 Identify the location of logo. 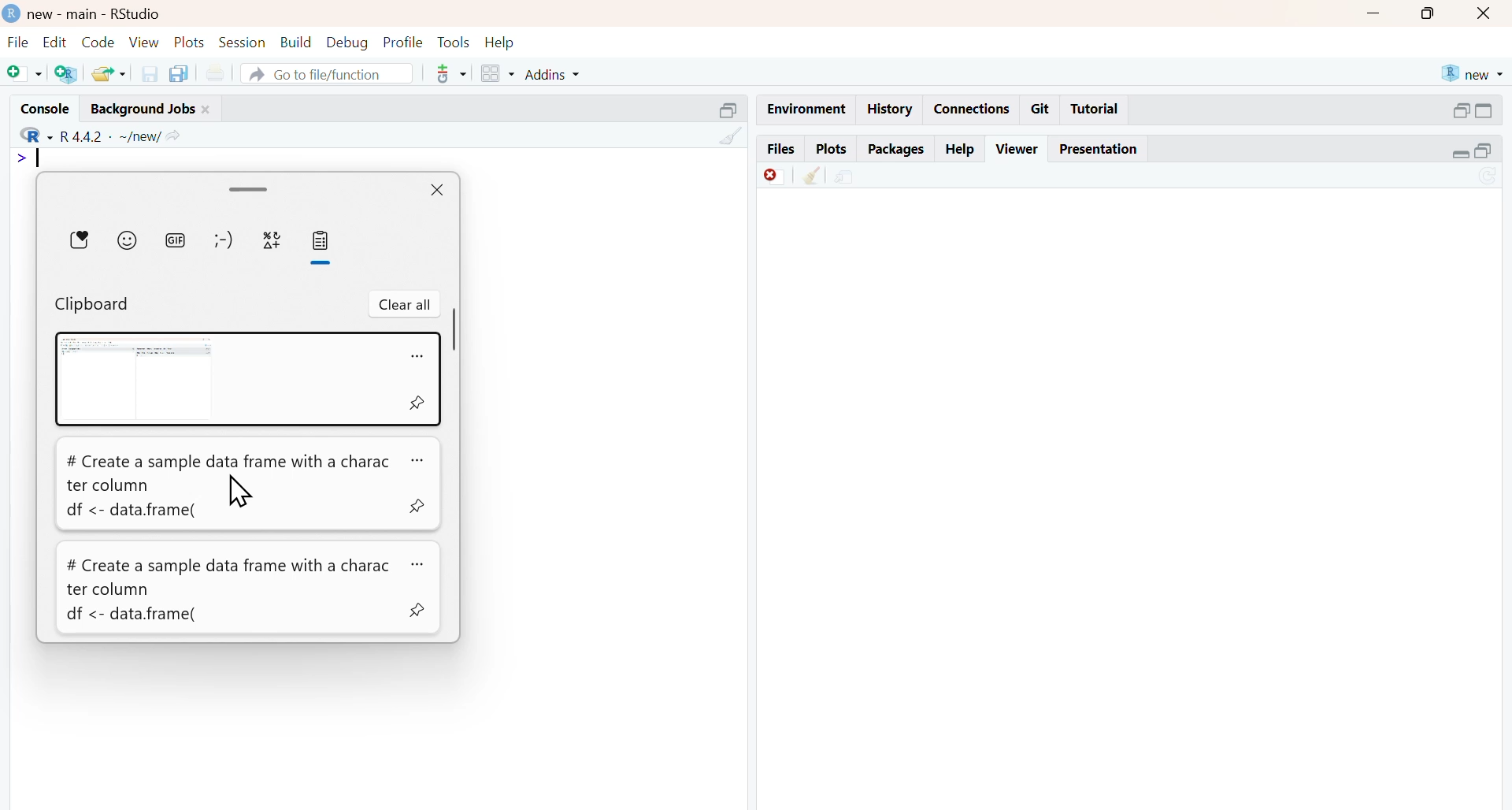
(13, 13).